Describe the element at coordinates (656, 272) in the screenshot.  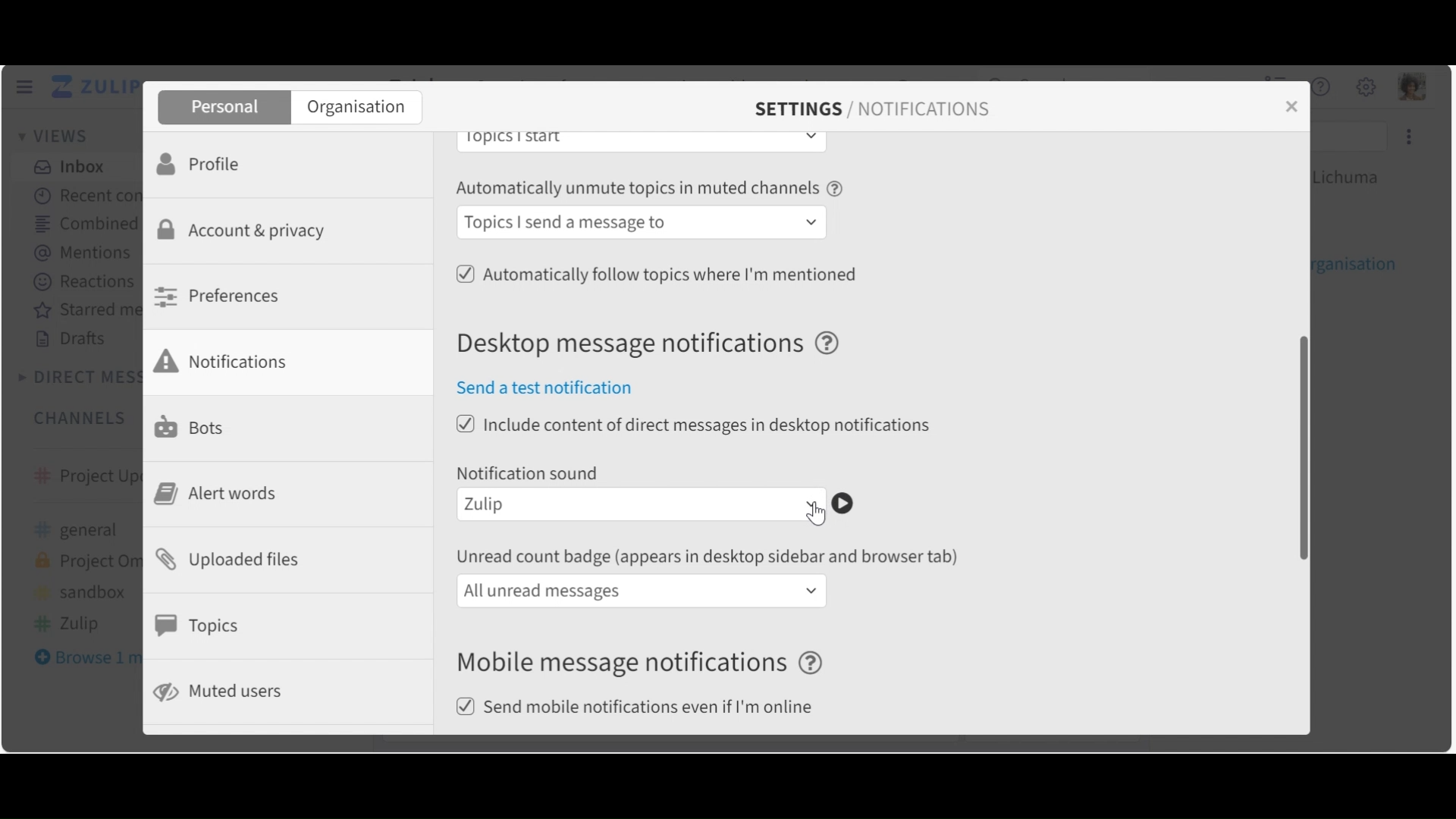
I see `(un)select Automatically follow topics where I am mentioned` at that location.